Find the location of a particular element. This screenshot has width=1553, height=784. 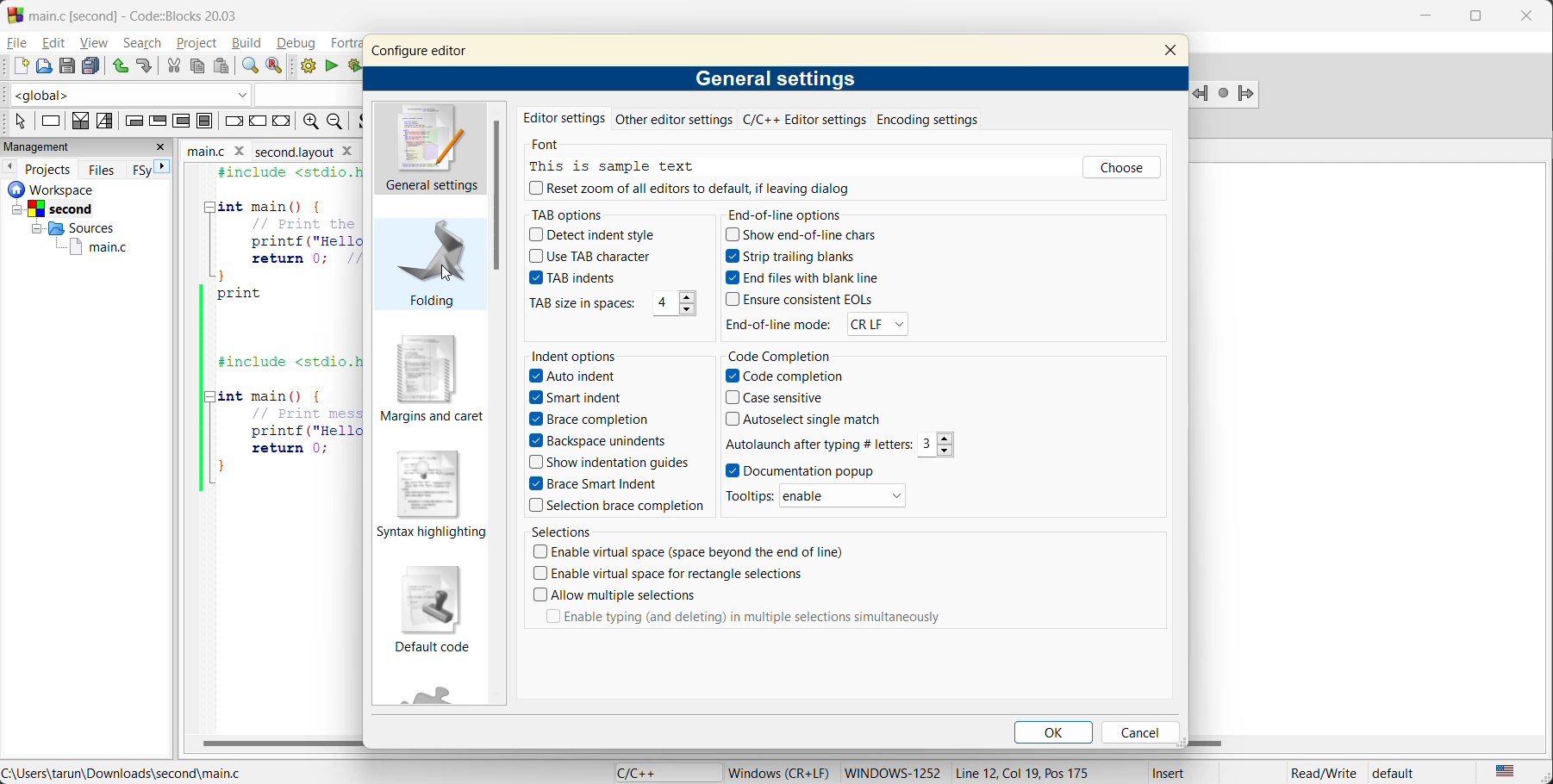

save everything is located at coordinates (90, 65).